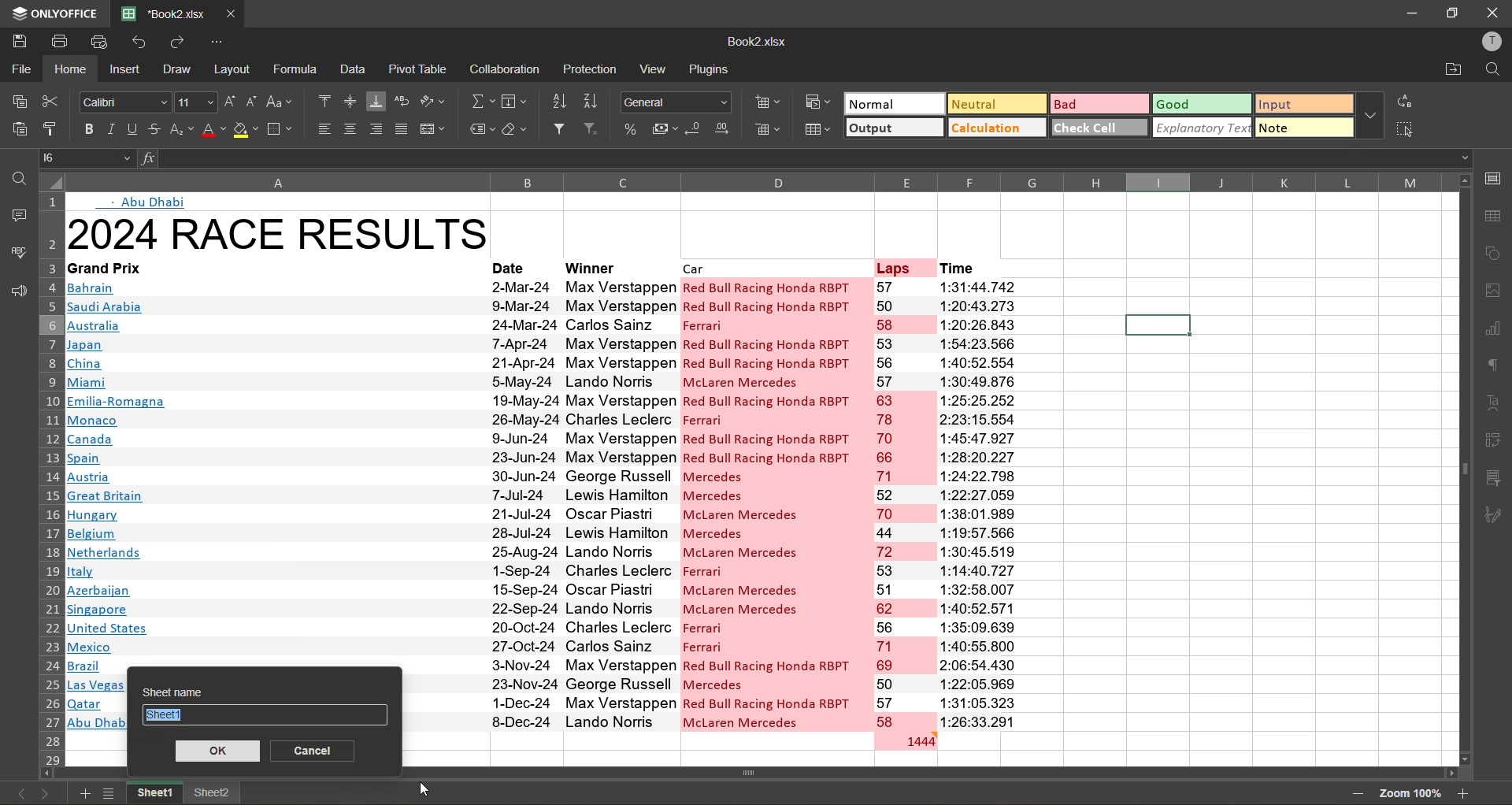 The image size is (1512, 805). I want to click on align left, so click(322, 131).